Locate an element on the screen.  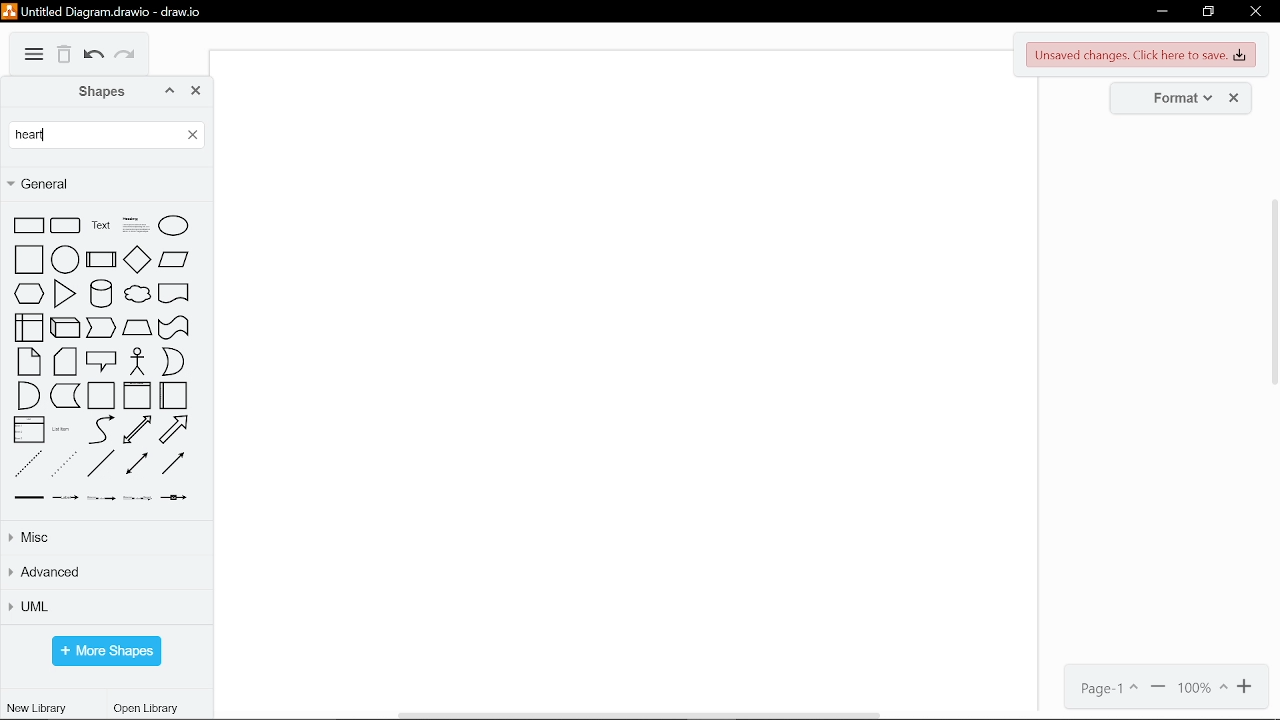
vertical scrollbar is located at coordinates (1272, 291).